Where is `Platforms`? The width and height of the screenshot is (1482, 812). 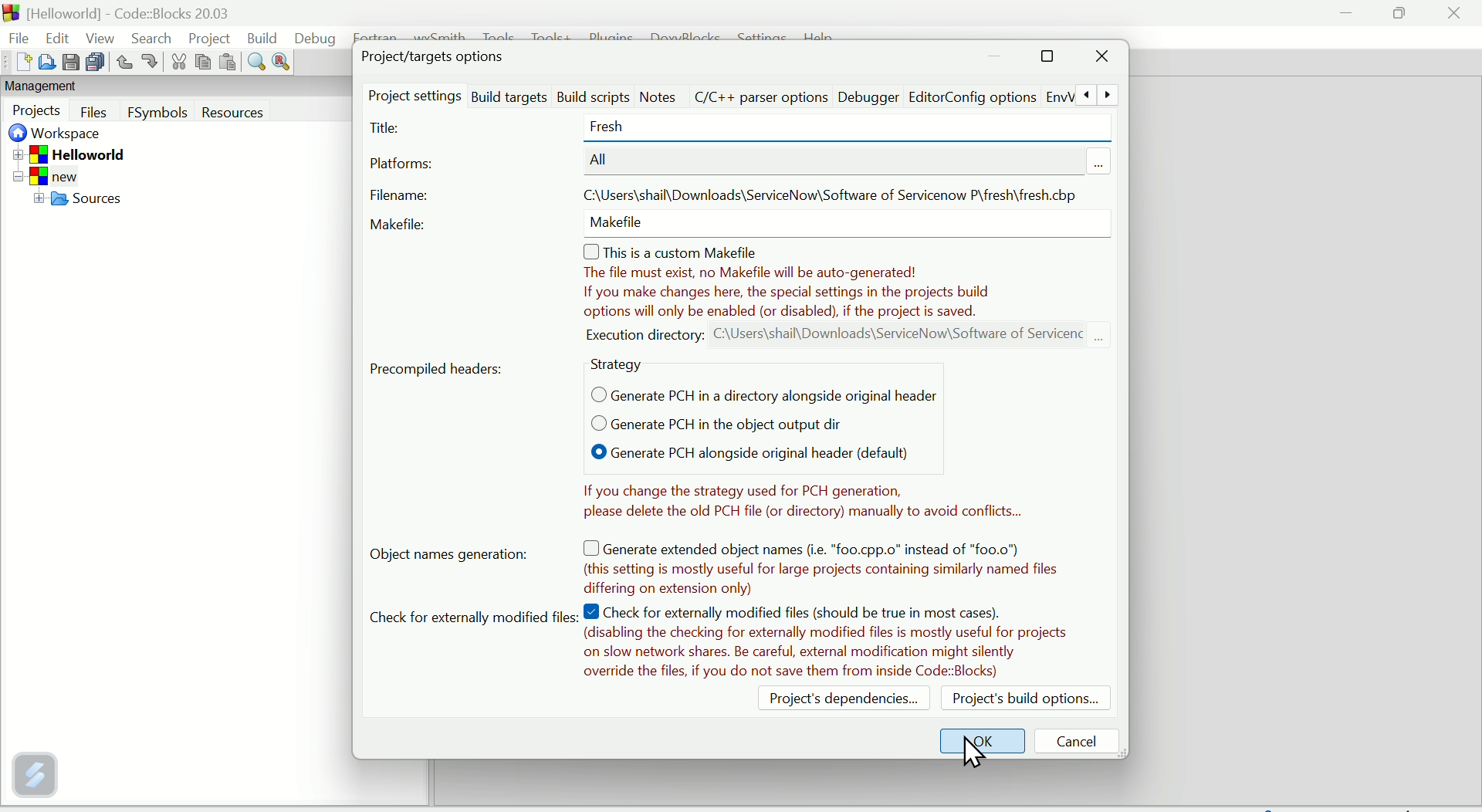
Platforms is located at coordinates (403, 166).